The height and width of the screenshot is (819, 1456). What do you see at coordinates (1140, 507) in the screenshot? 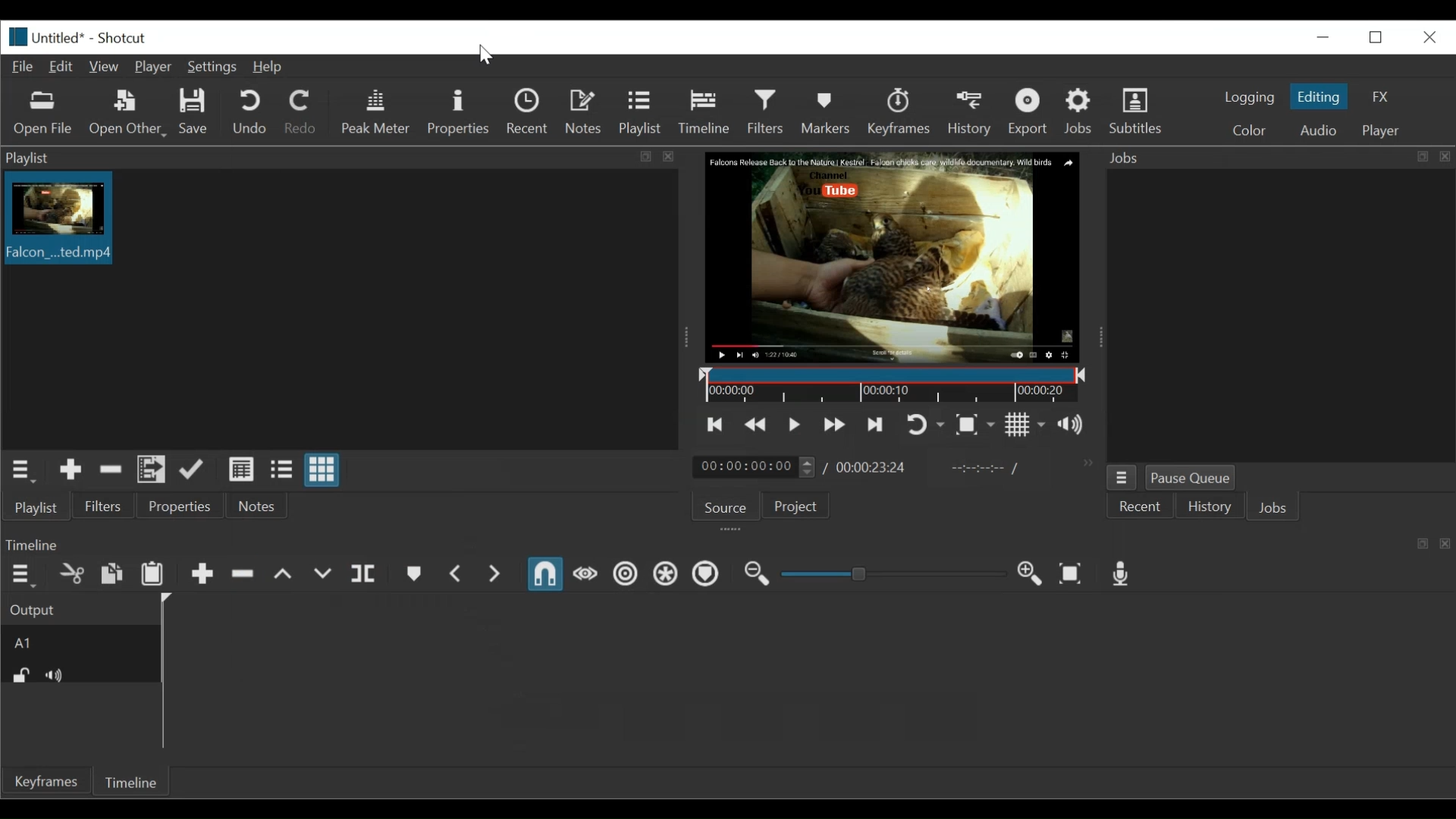
I see `Recent` at bounding box center [1140, 507].